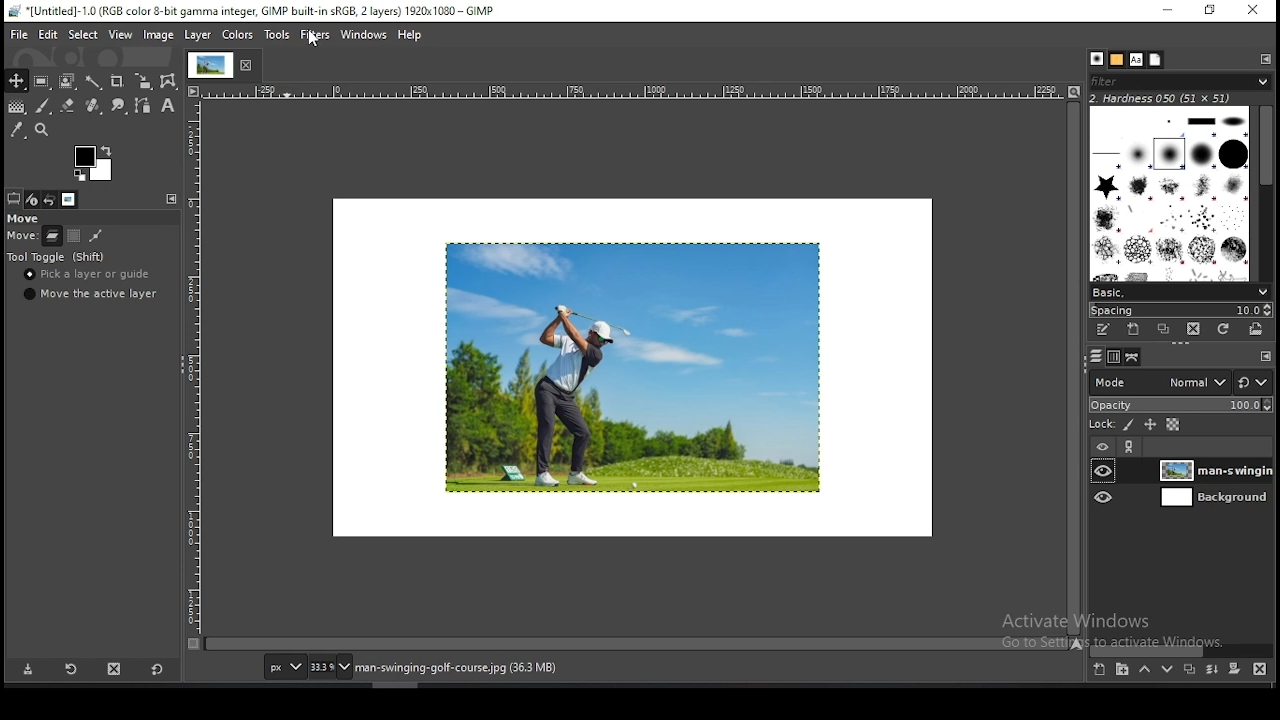  I want to click on cage transform tool, so click(170, 82).